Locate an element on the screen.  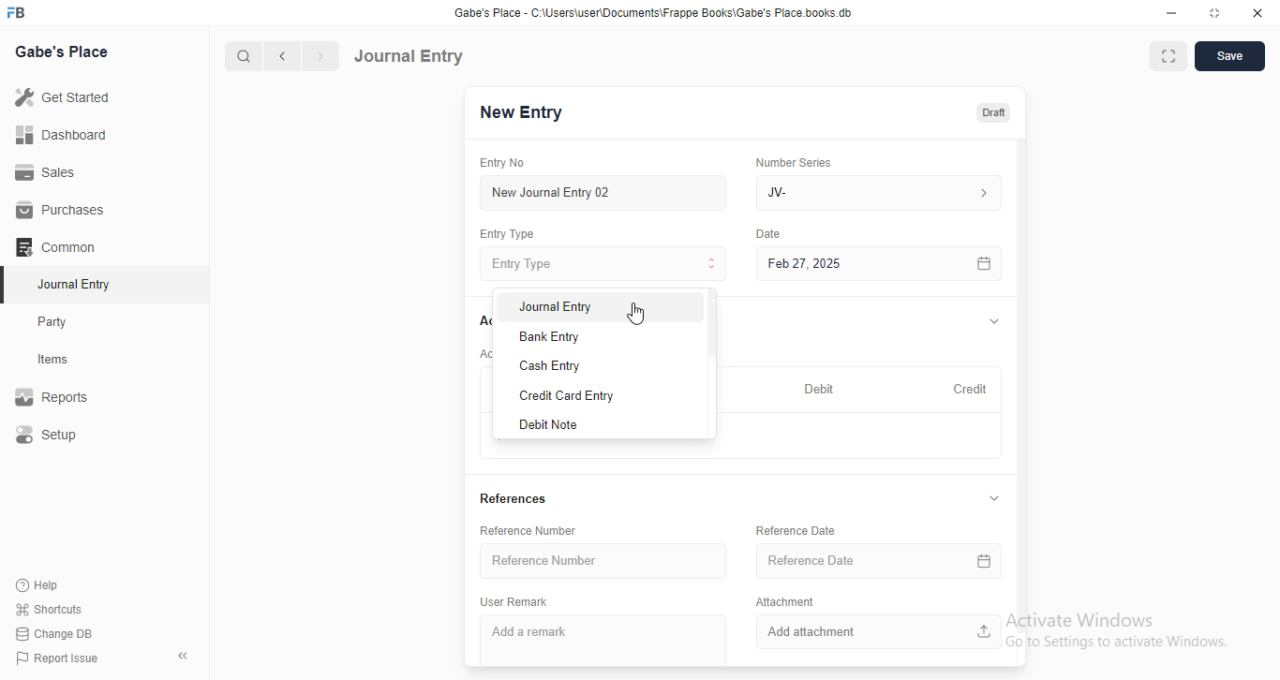
Full screen is located at coordinates (1212, 13).